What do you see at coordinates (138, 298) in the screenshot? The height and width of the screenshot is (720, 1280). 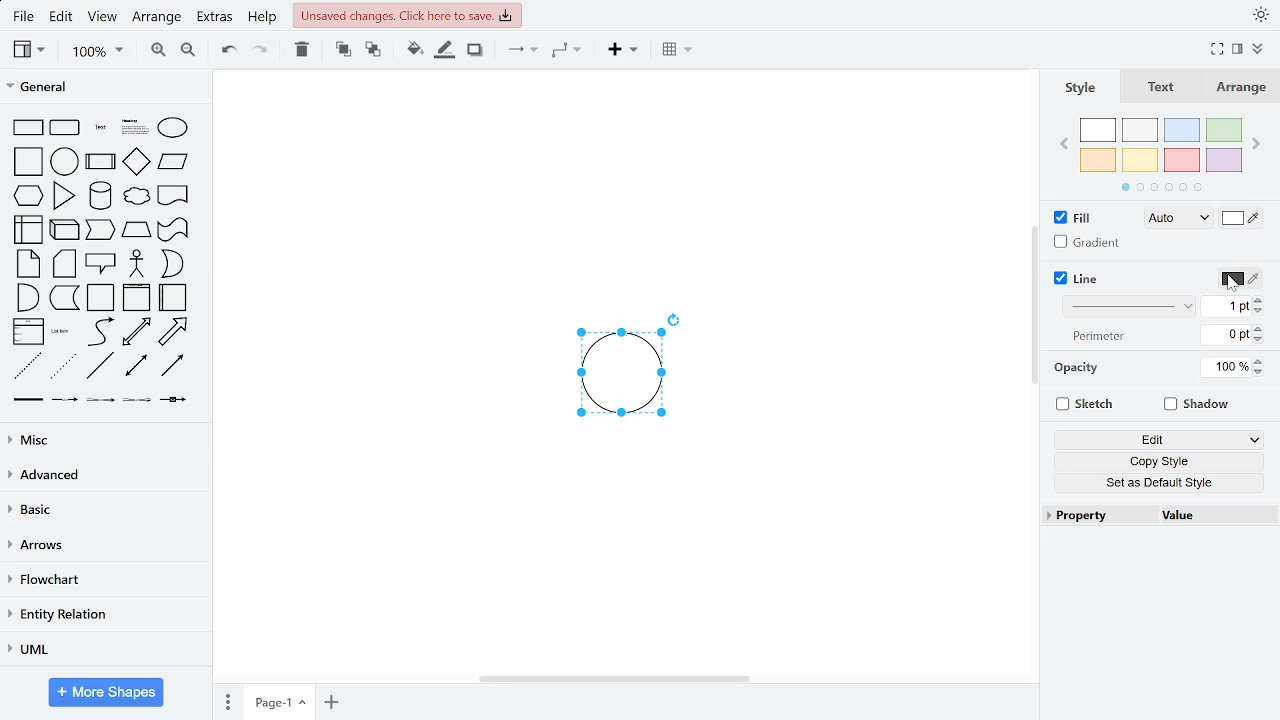 I see `vertical container` at bounding box center [138, 298].